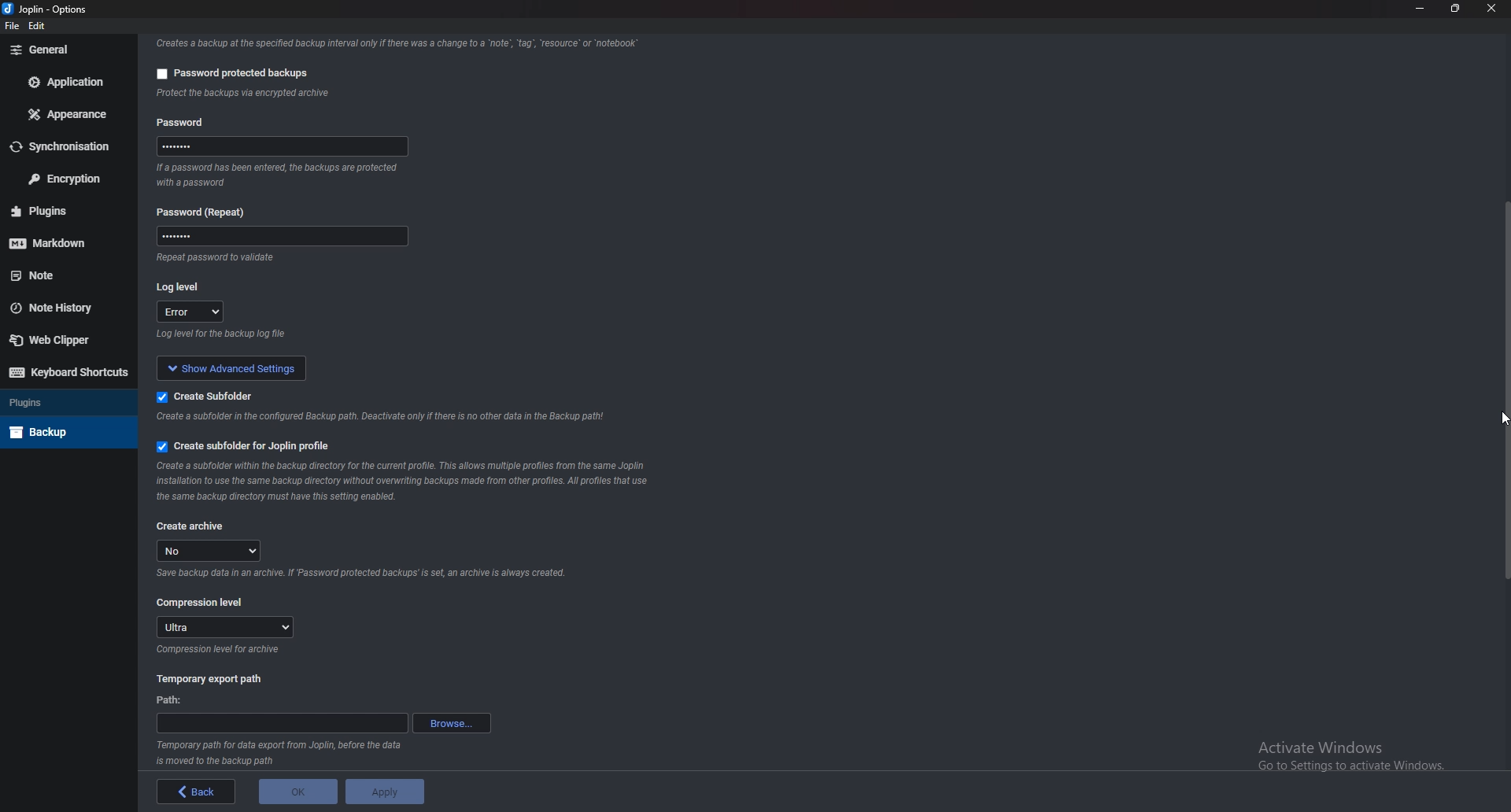 The image size is (1511, 812). Describe the element at coordinates (68, 83) in the screenshot. I see `Application` at that location.